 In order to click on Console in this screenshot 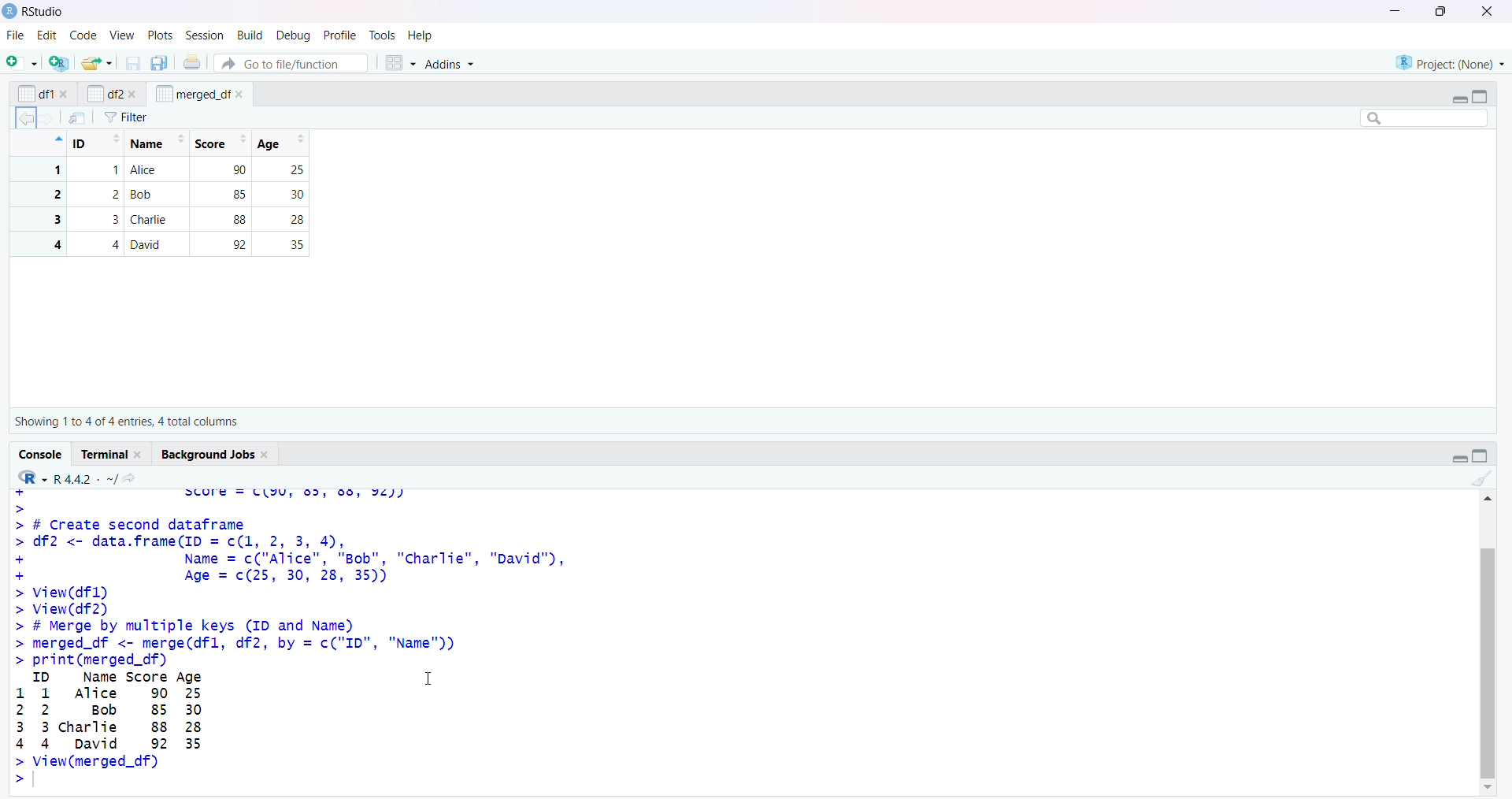, I will do `click(42, 455)`.